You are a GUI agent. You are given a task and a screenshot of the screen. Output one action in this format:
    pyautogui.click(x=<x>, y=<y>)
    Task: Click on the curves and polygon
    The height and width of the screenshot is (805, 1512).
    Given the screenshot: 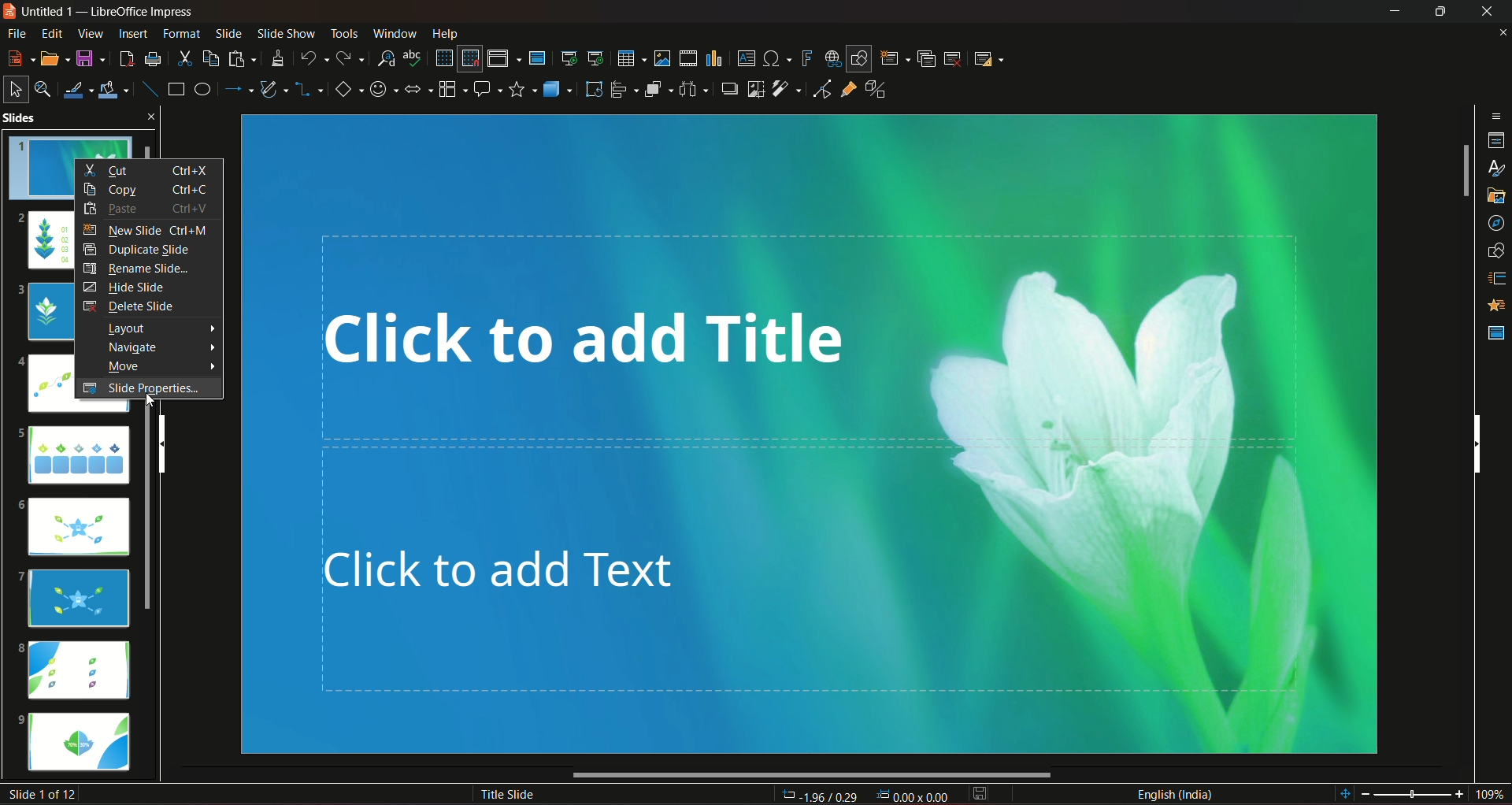 What is the action you would take?
    pyautogui.click(x=276, y=91)
    